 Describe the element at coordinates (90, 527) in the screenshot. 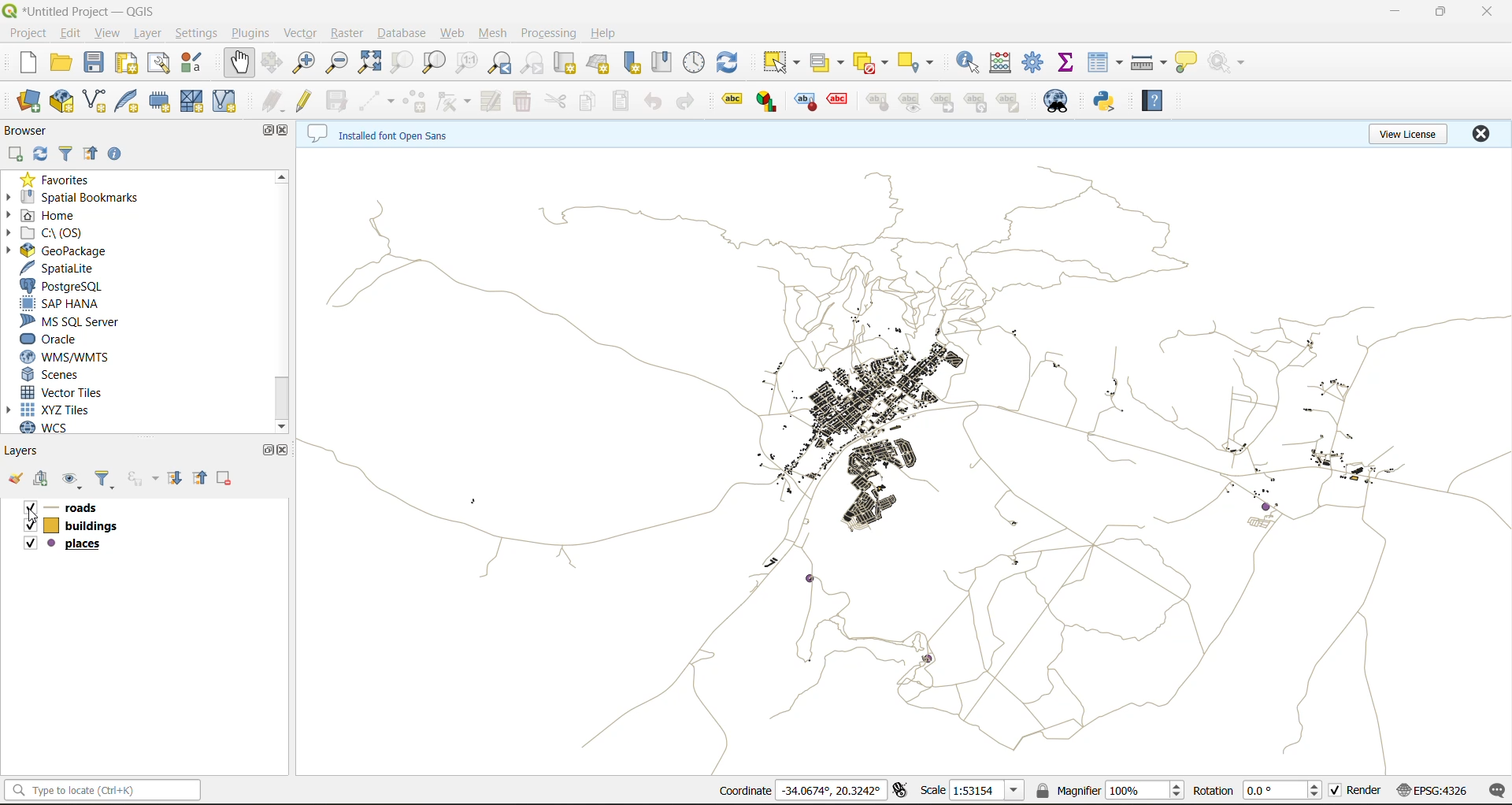

I see `buildings` at that location.